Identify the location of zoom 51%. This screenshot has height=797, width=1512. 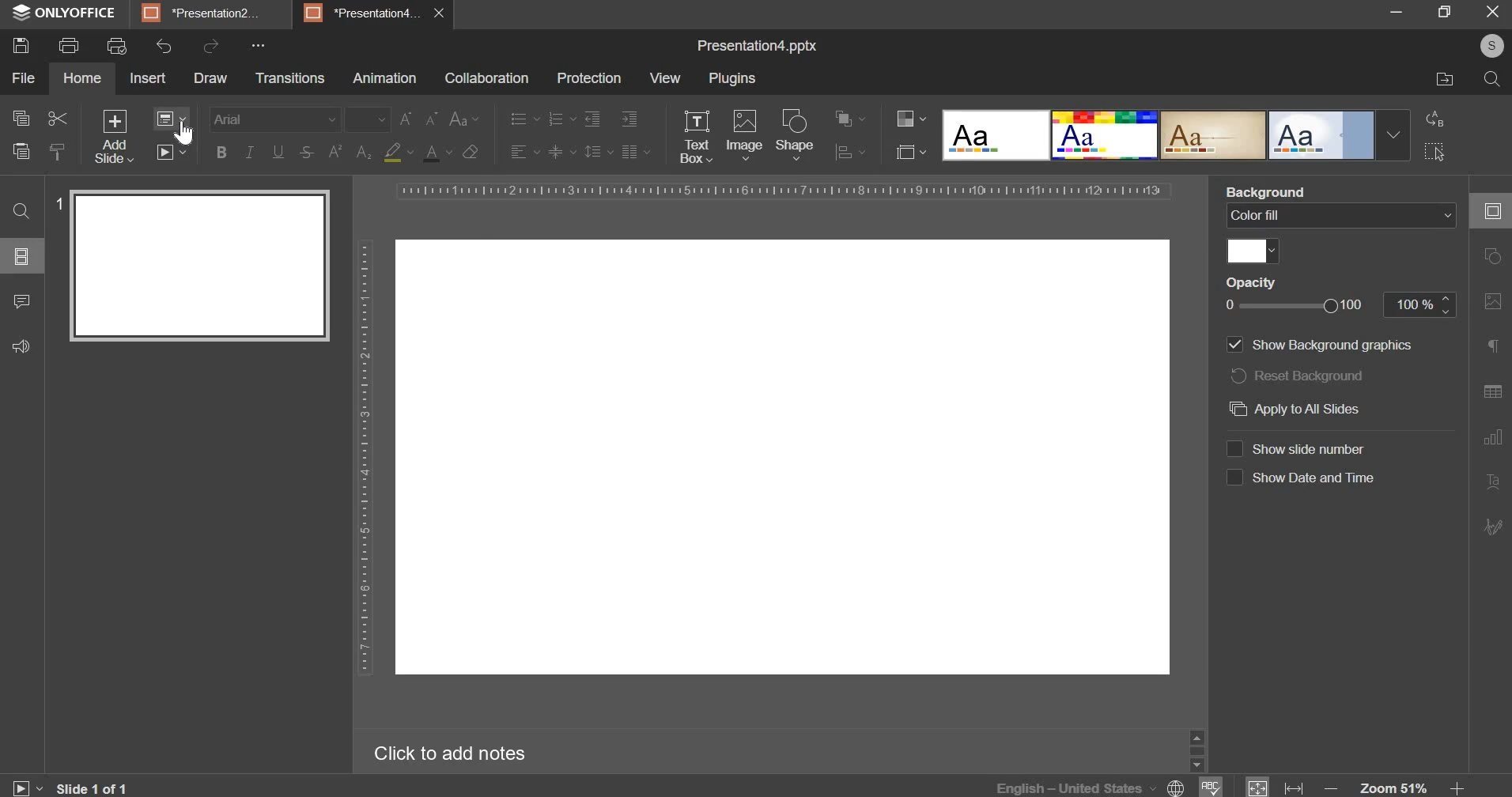
(1393, 788).